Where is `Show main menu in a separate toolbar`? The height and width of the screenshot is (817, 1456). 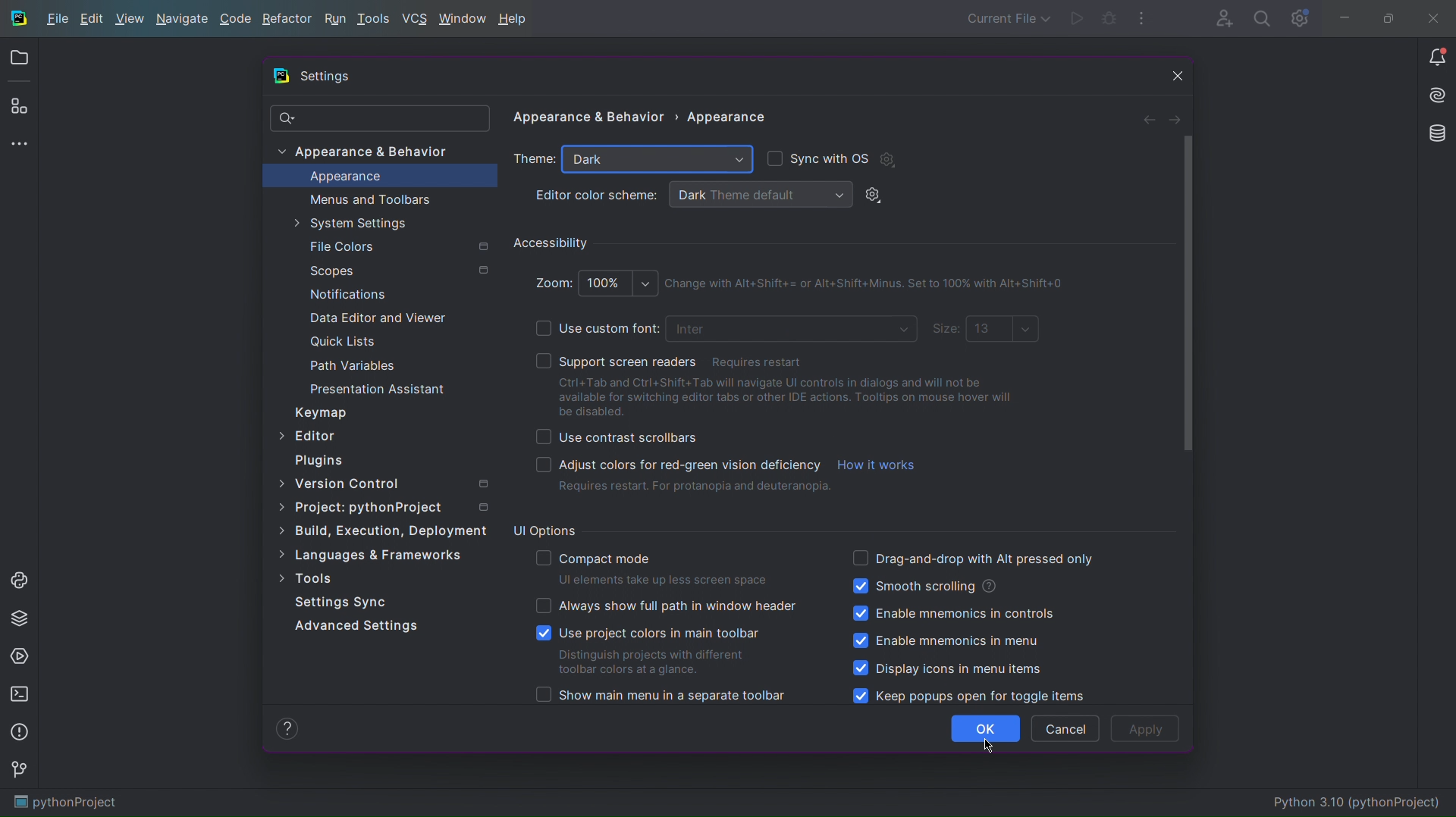 Show main menu in a separate toolbar is located at coordinates (660, 695).